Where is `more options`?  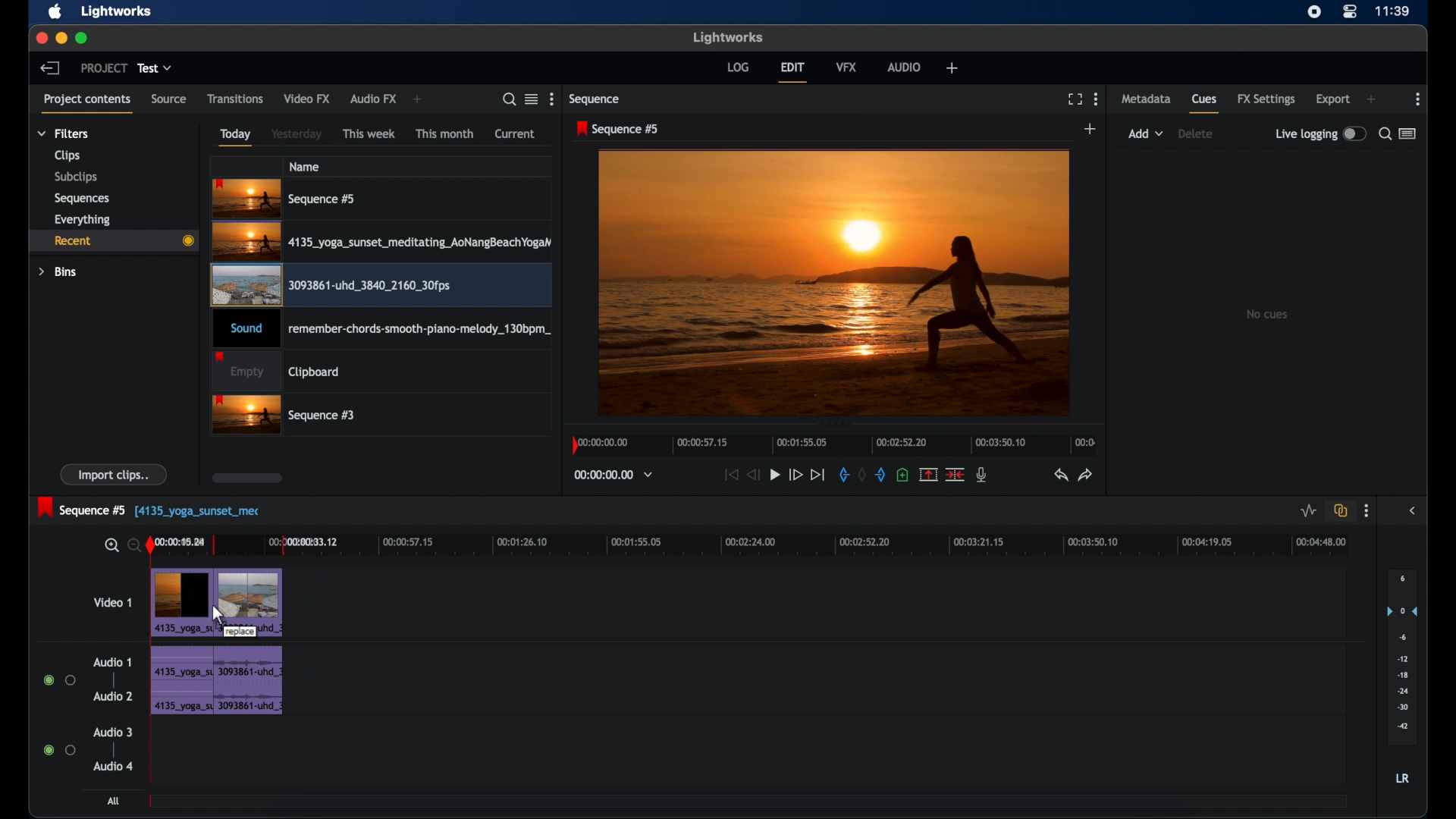
more options is located at coordinates (551, 99).